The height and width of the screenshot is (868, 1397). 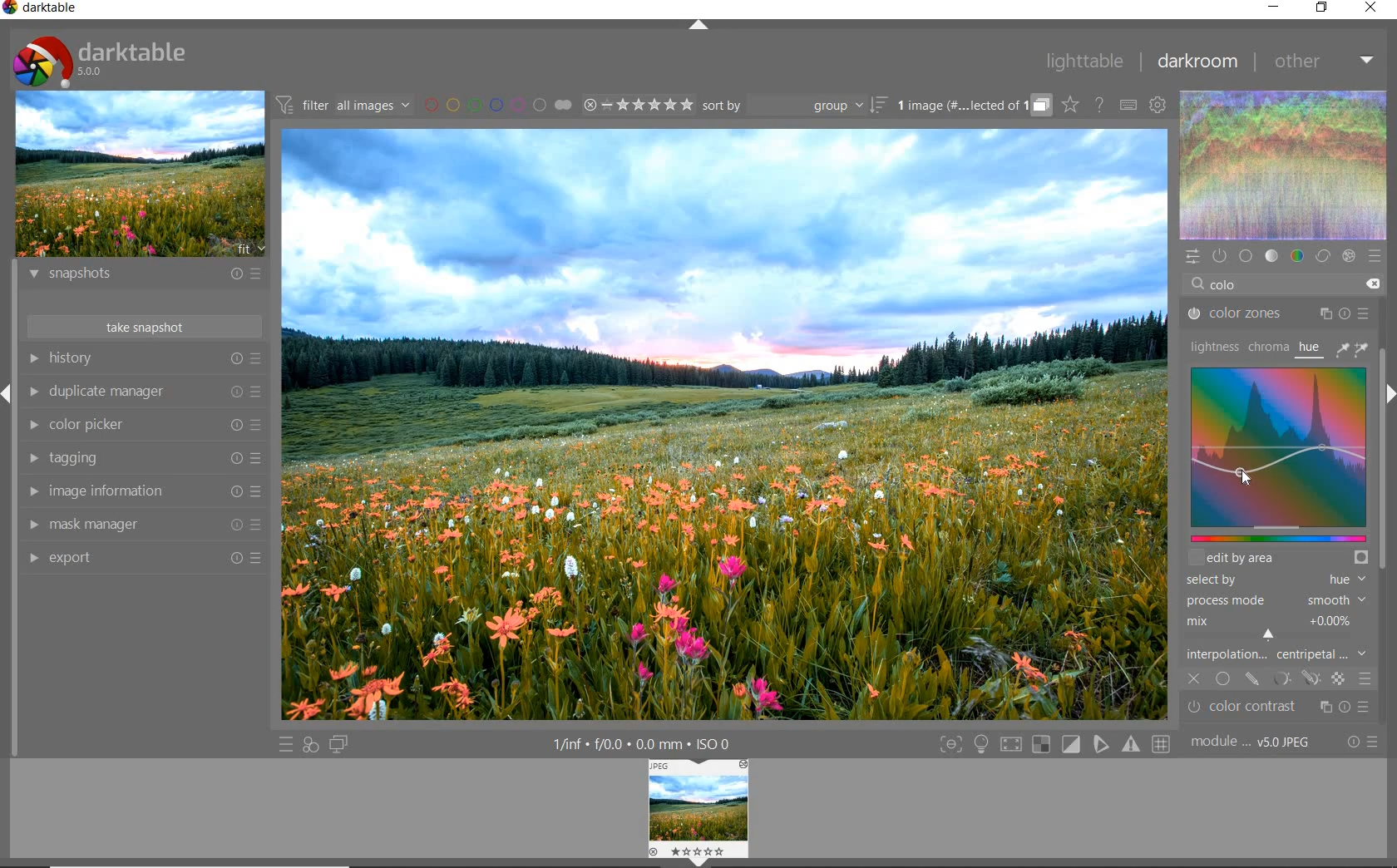 I want to click on waveform, so click(x=1285, y=165).